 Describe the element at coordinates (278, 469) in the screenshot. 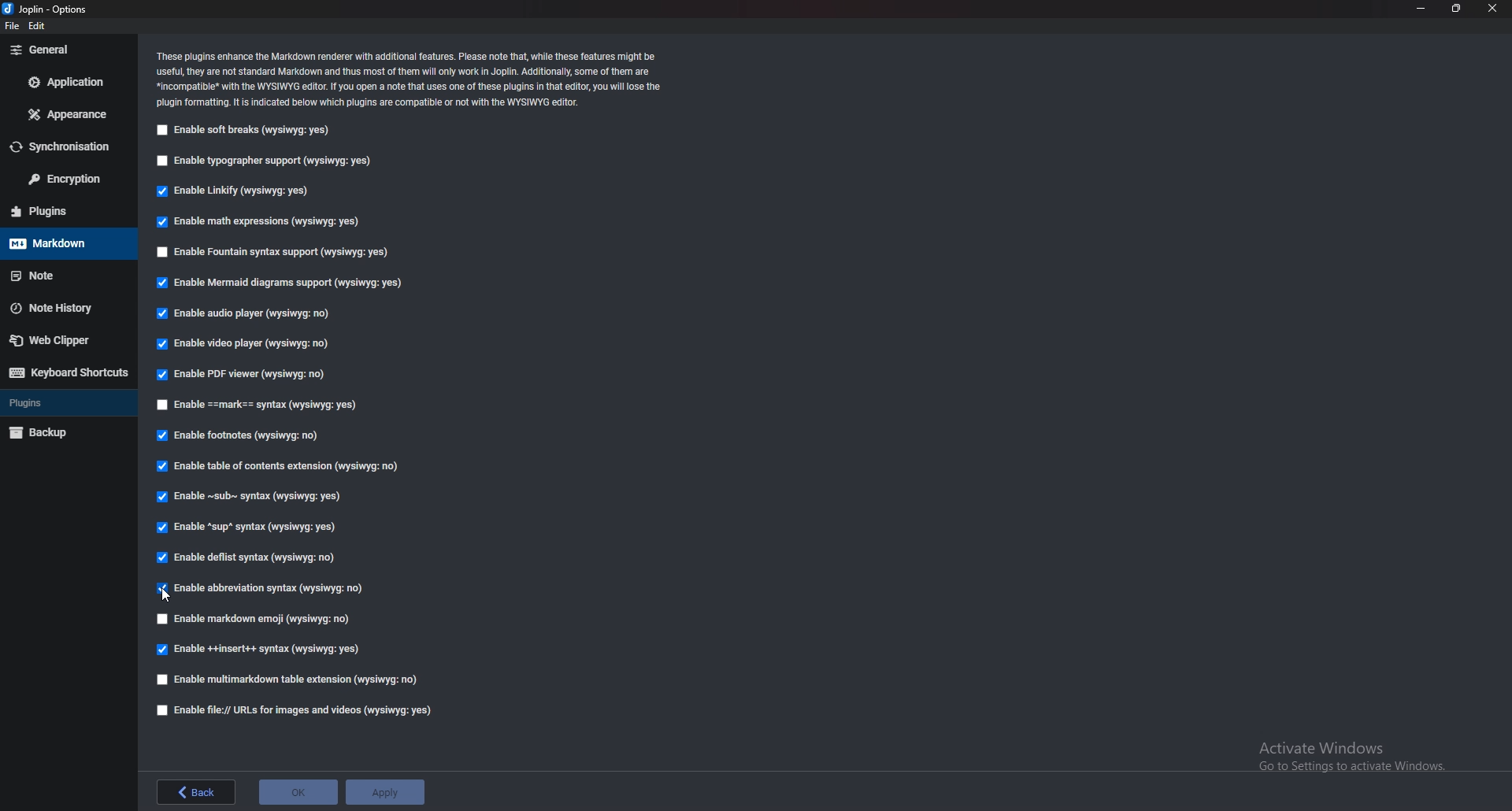

I see `Enable table of contents extension` at that location.